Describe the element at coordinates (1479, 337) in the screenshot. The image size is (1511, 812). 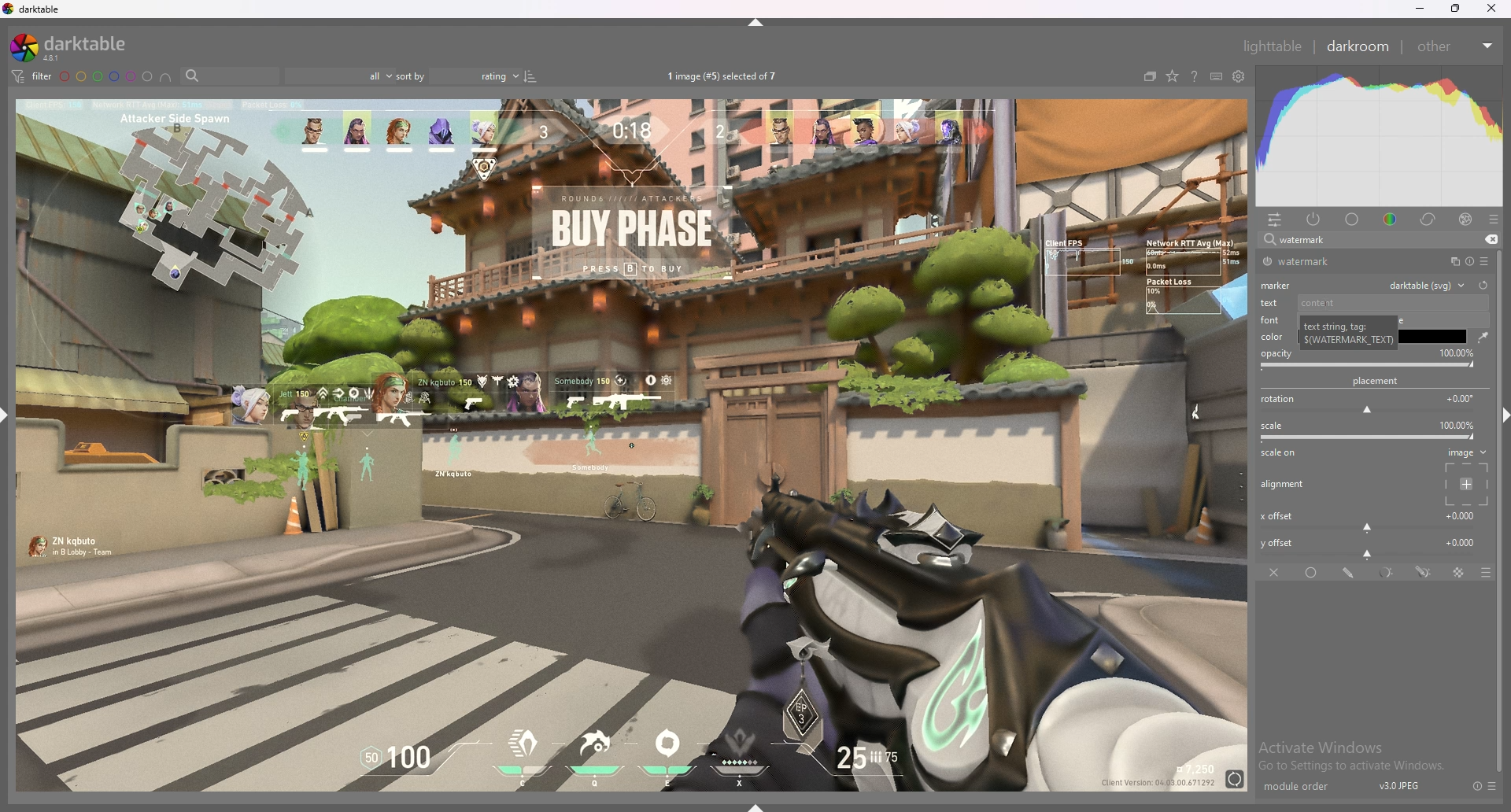
I see `waterdrop tool` at that location.